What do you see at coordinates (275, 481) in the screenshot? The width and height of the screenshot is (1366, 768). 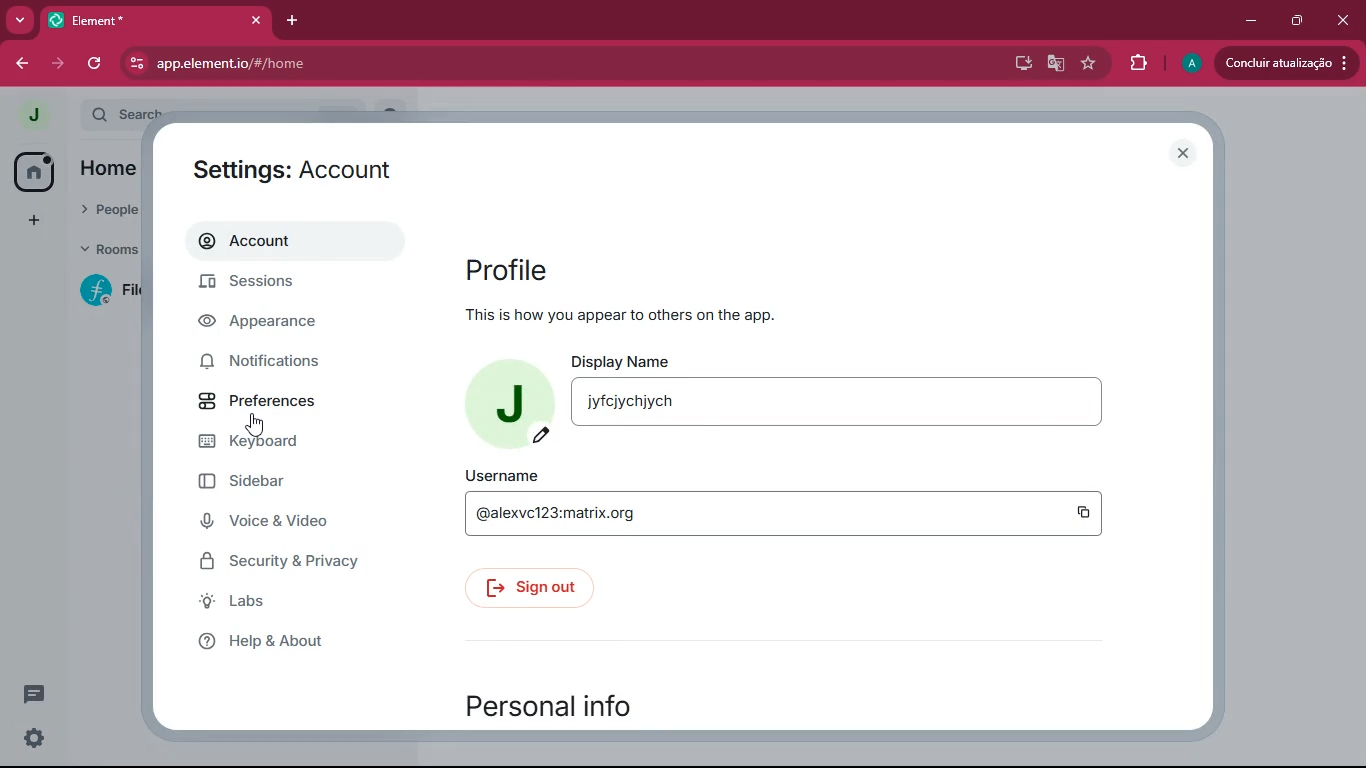 I see `sidebar` at bounding box center [275, 481].